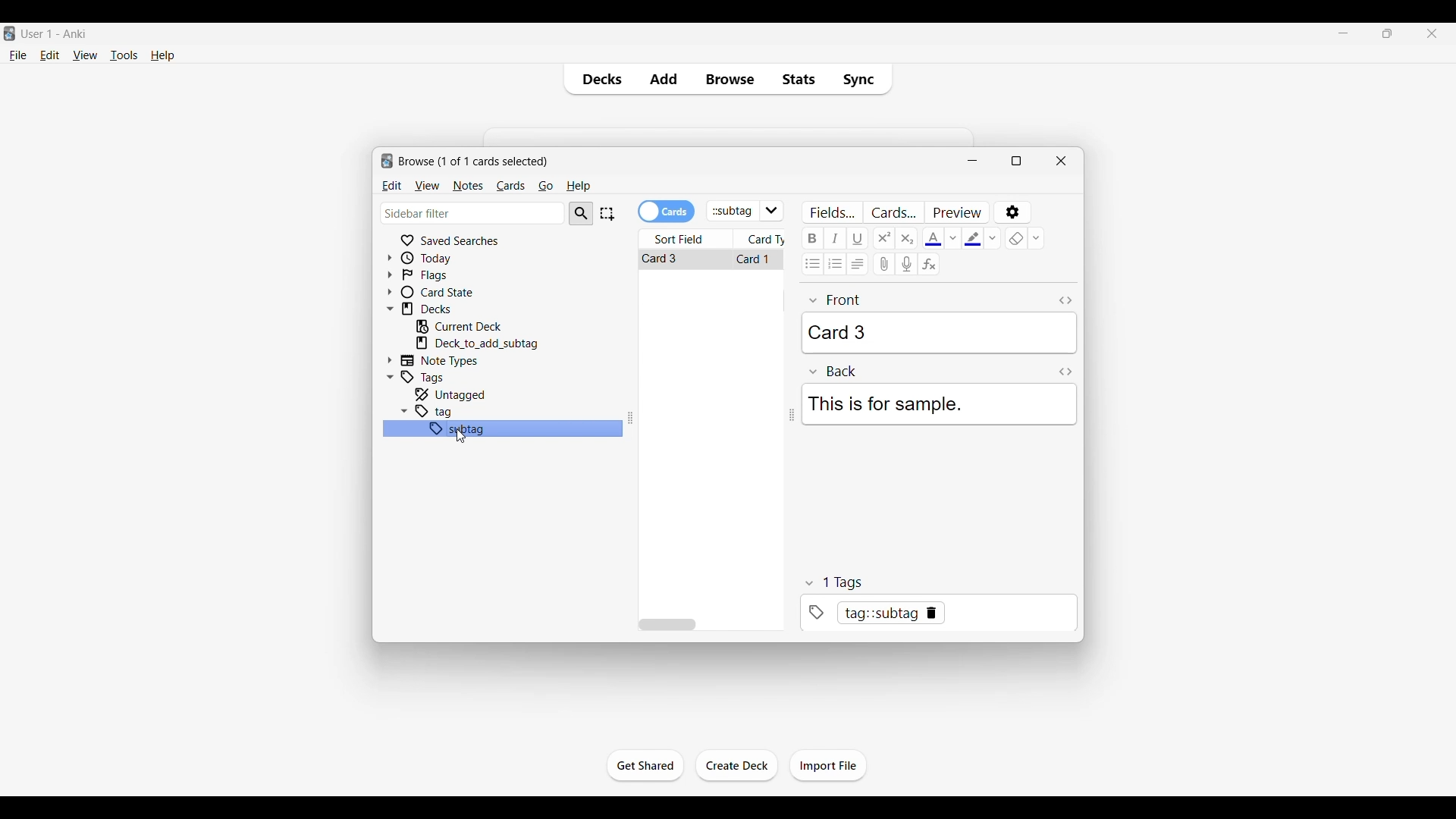  Describe the element at coordinates (124, 55) in the screenshot. I see `Tools menu` at that location.